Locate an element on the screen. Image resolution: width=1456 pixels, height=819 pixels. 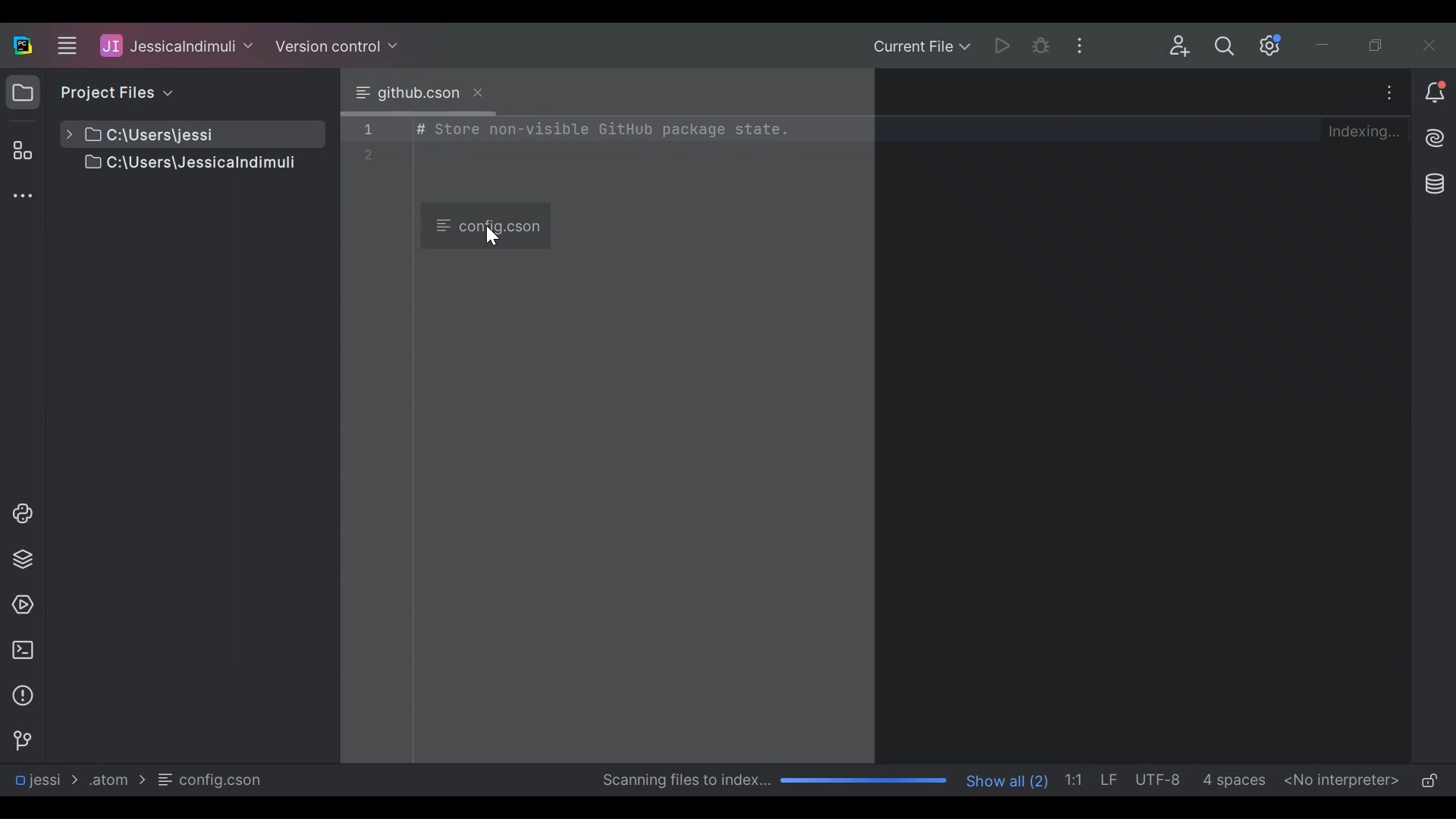
PyCharm is located at coordinates (23, 45).